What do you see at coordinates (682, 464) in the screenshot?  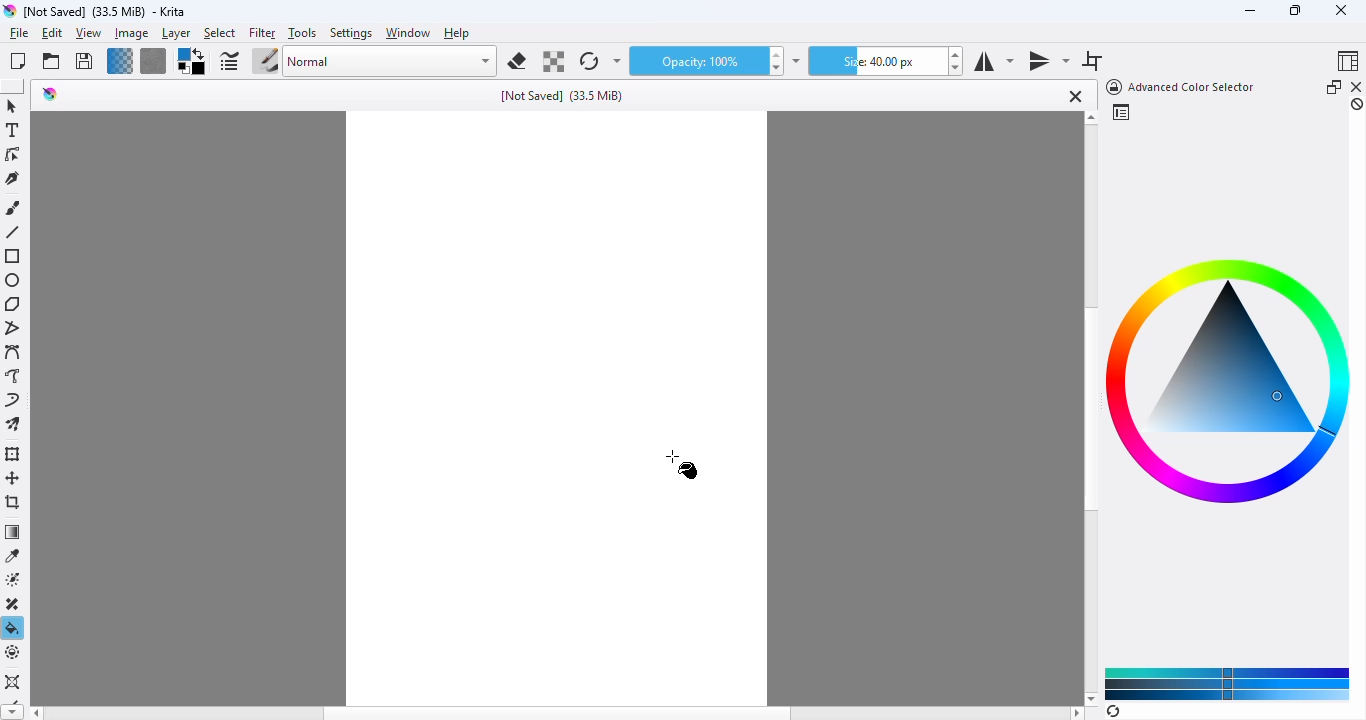 I see `cursor` at bounding box center [682, 464].